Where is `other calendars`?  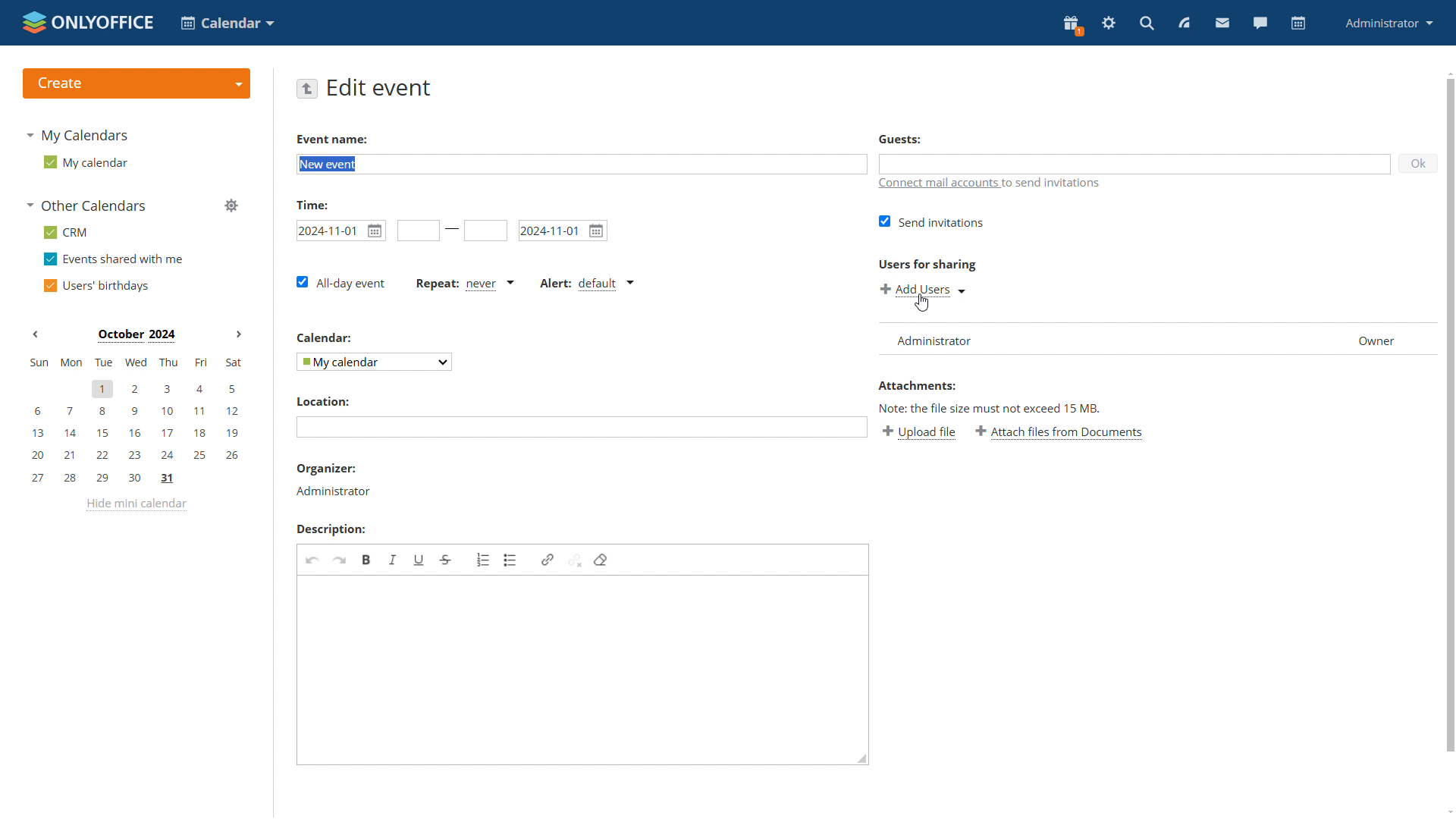 other calendars is located at coordinates (88, 206).